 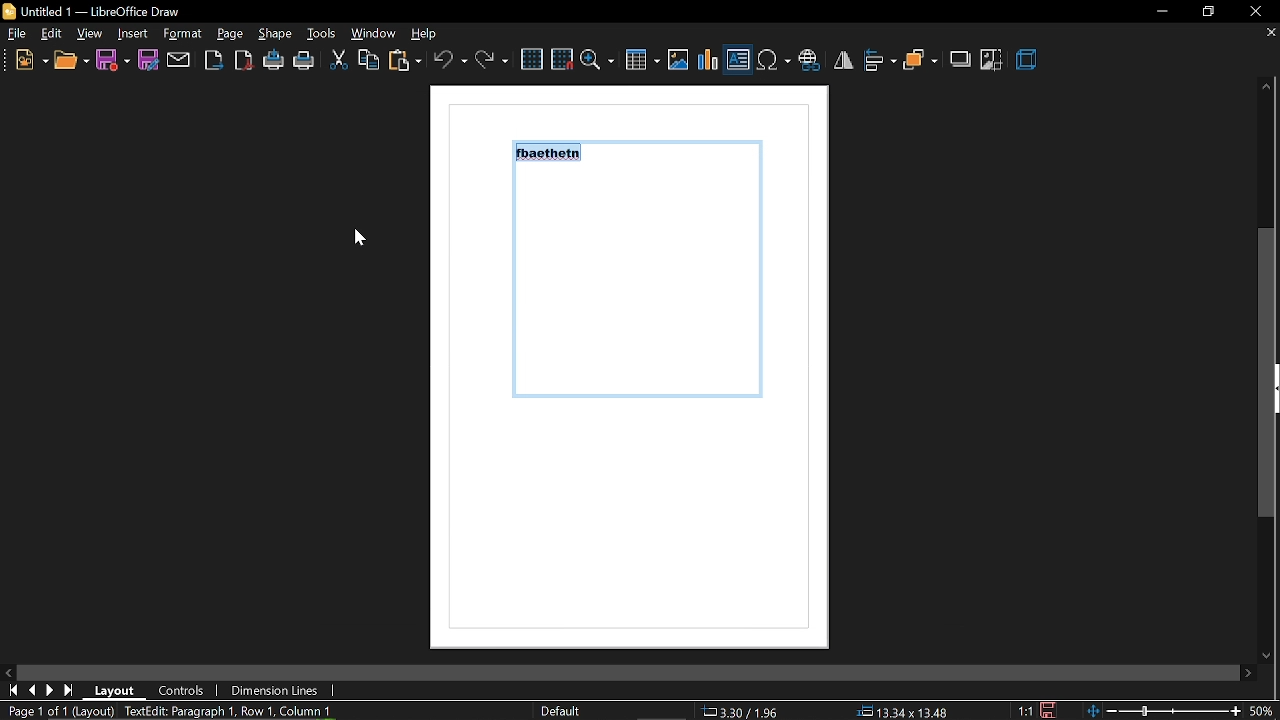 I want to click on go to first page, so click(x=10, y=690).